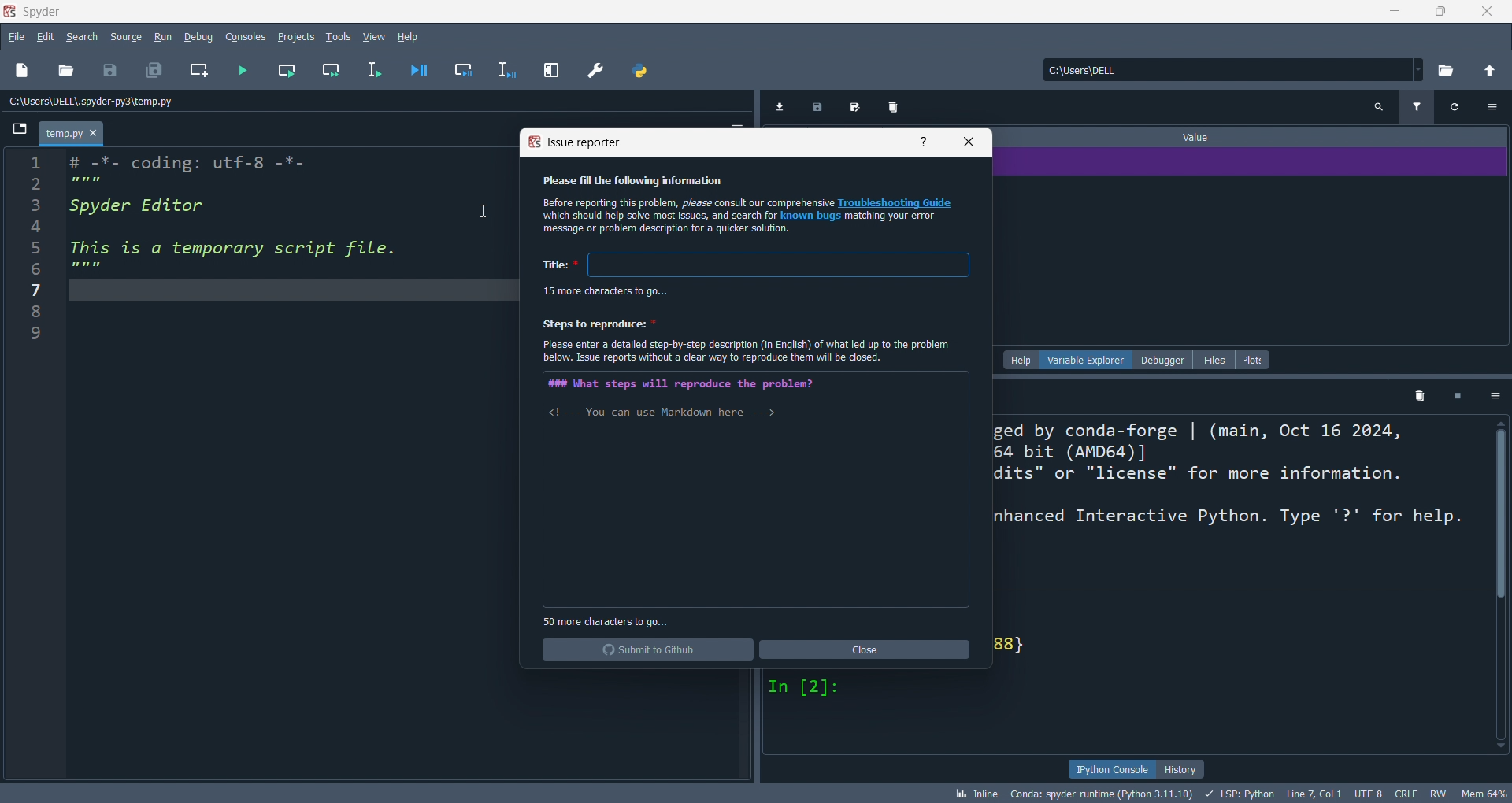  What do you see at coordinates (334, 71) in the screenshot?
I see `run cell and move` at bounding box center [334, 71].